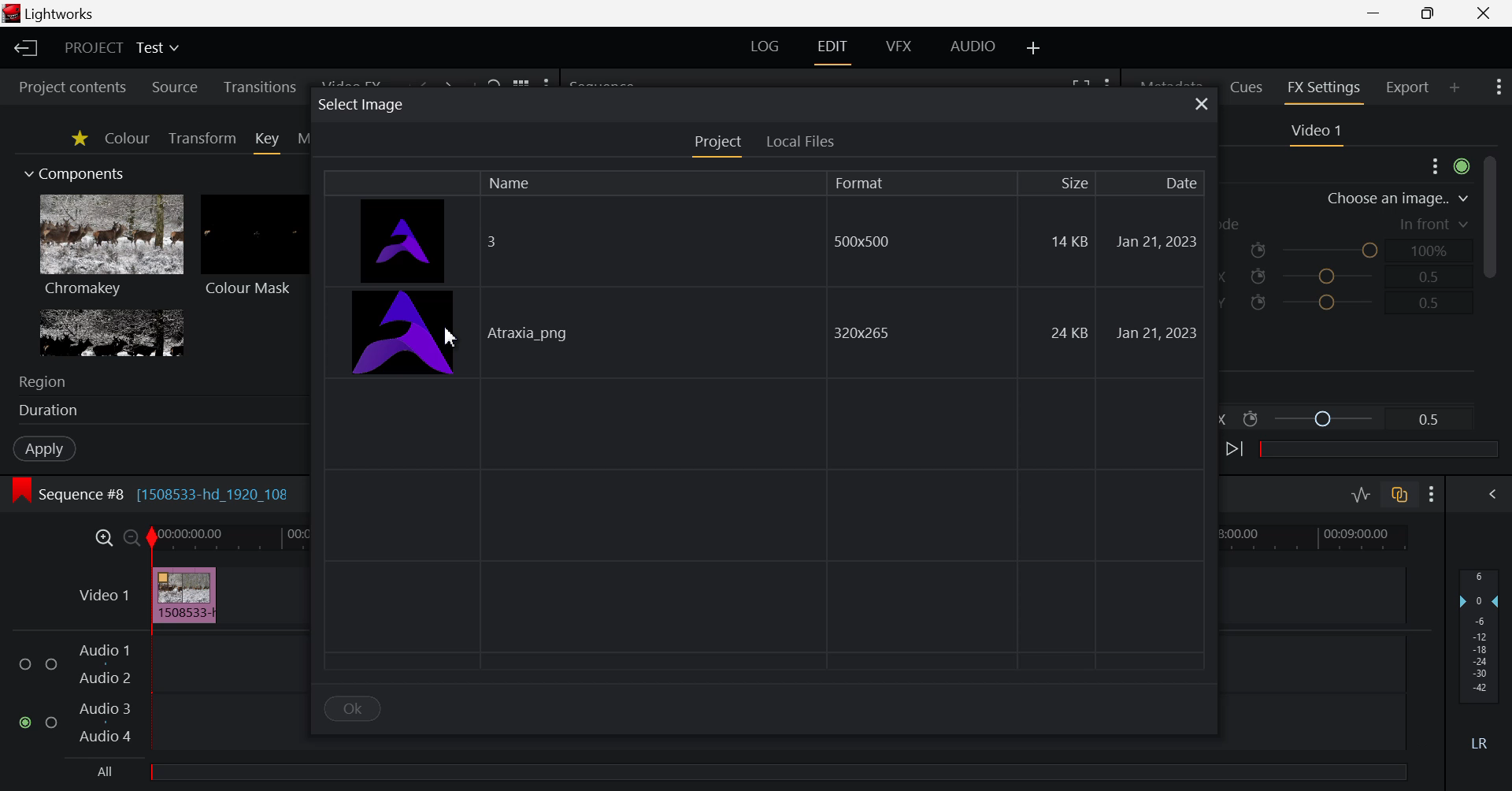  Describe the element at coordinates (1432, 303) in the screenshot. I see `0.5` at that location.